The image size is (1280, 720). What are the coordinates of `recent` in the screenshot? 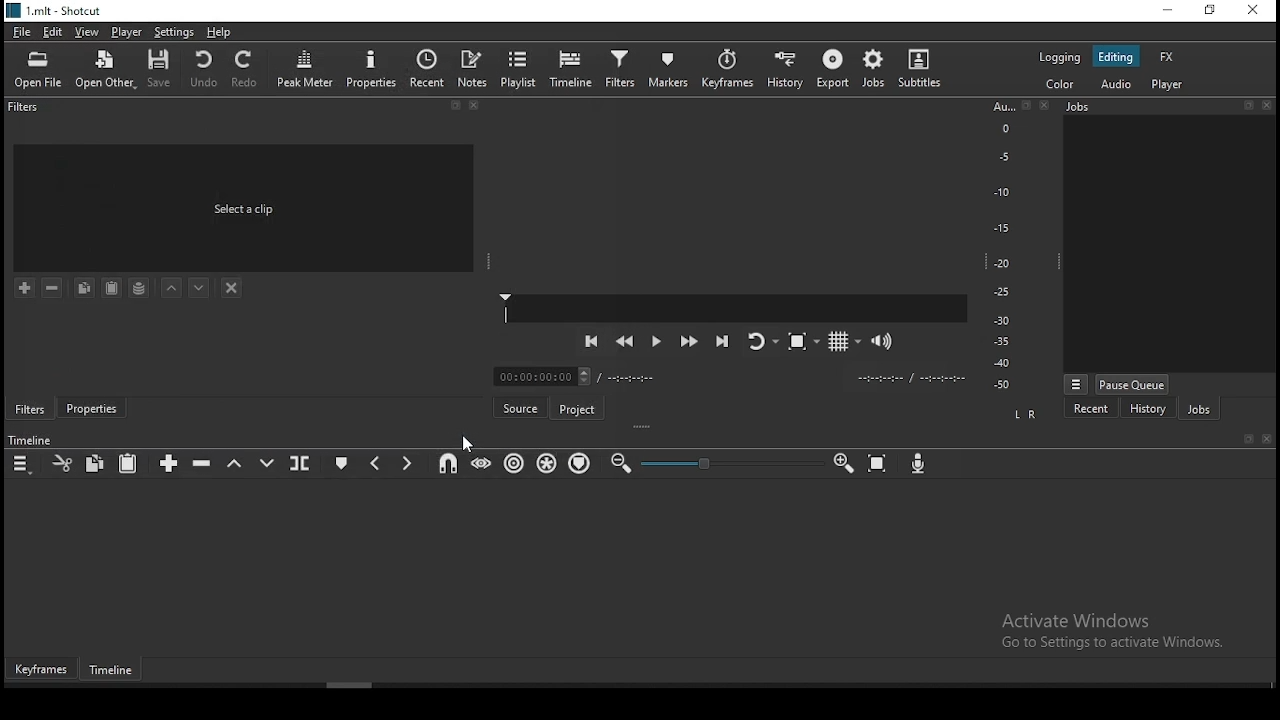 It's located at (1091, 408).